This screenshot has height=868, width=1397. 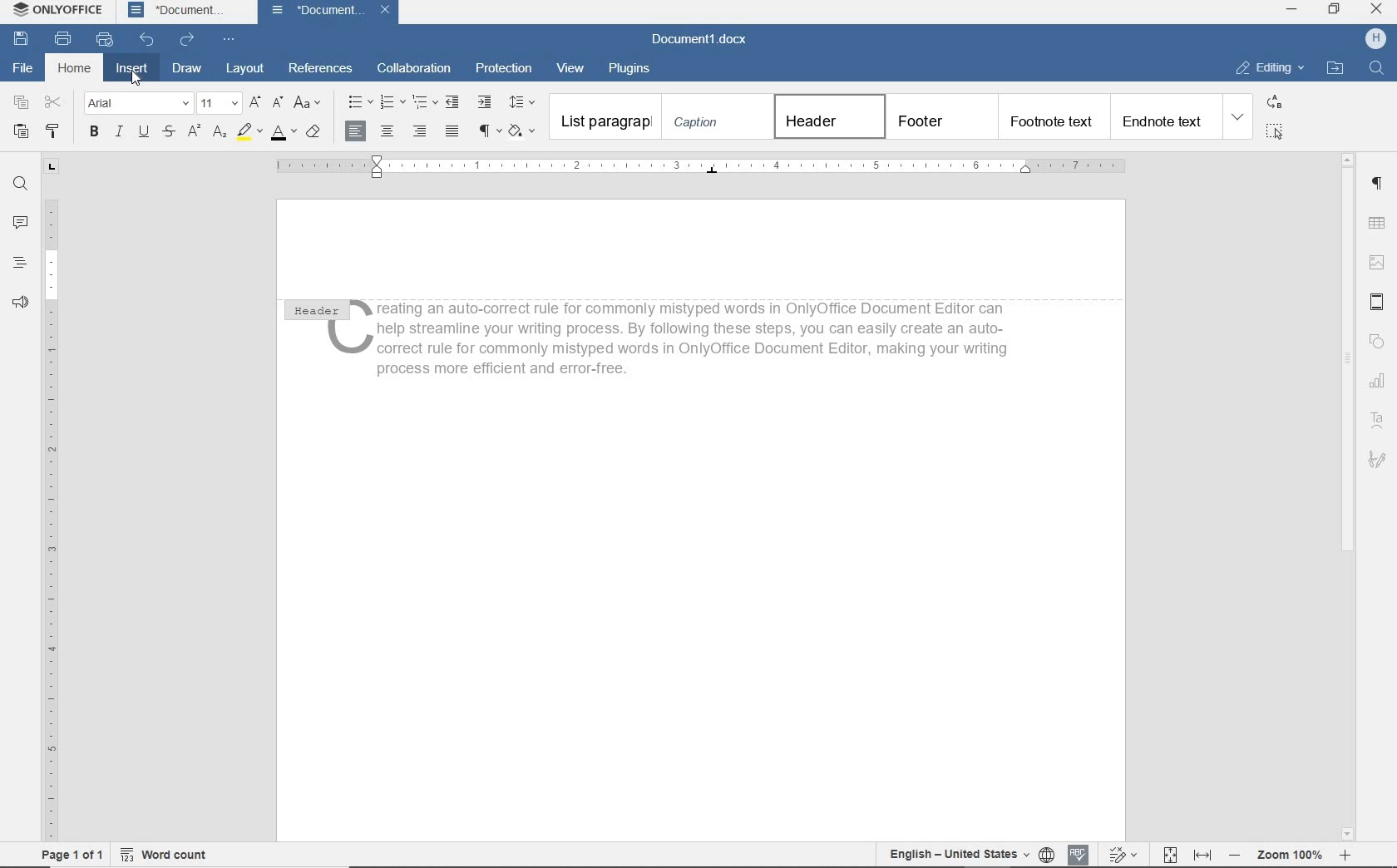 I want to click on RULER, so click(x=51, y=498).